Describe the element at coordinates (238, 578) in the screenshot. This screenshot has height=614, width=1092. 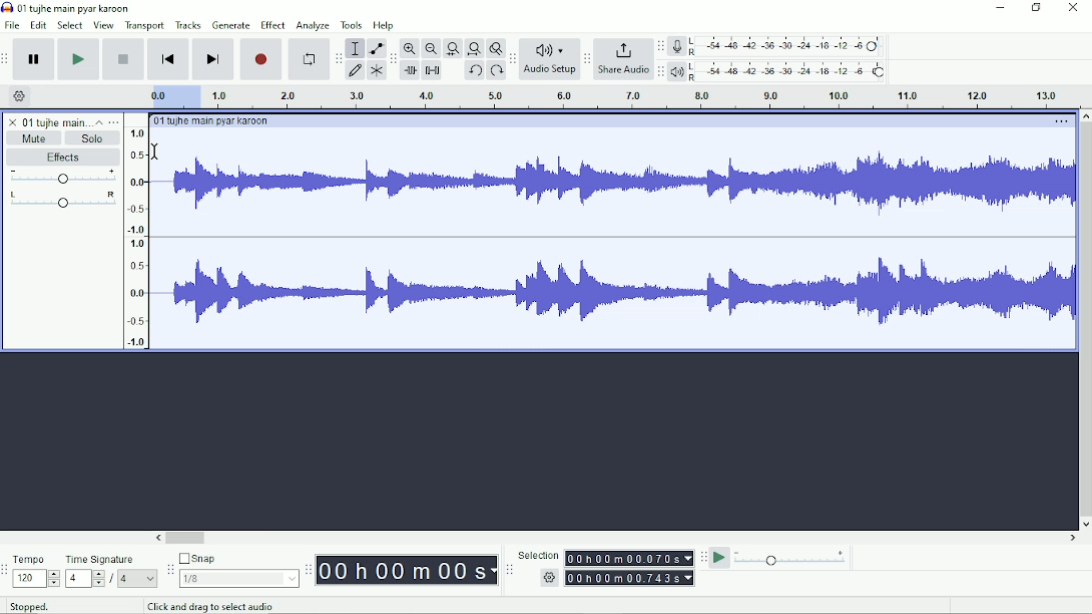
I see `1/8` at that location.